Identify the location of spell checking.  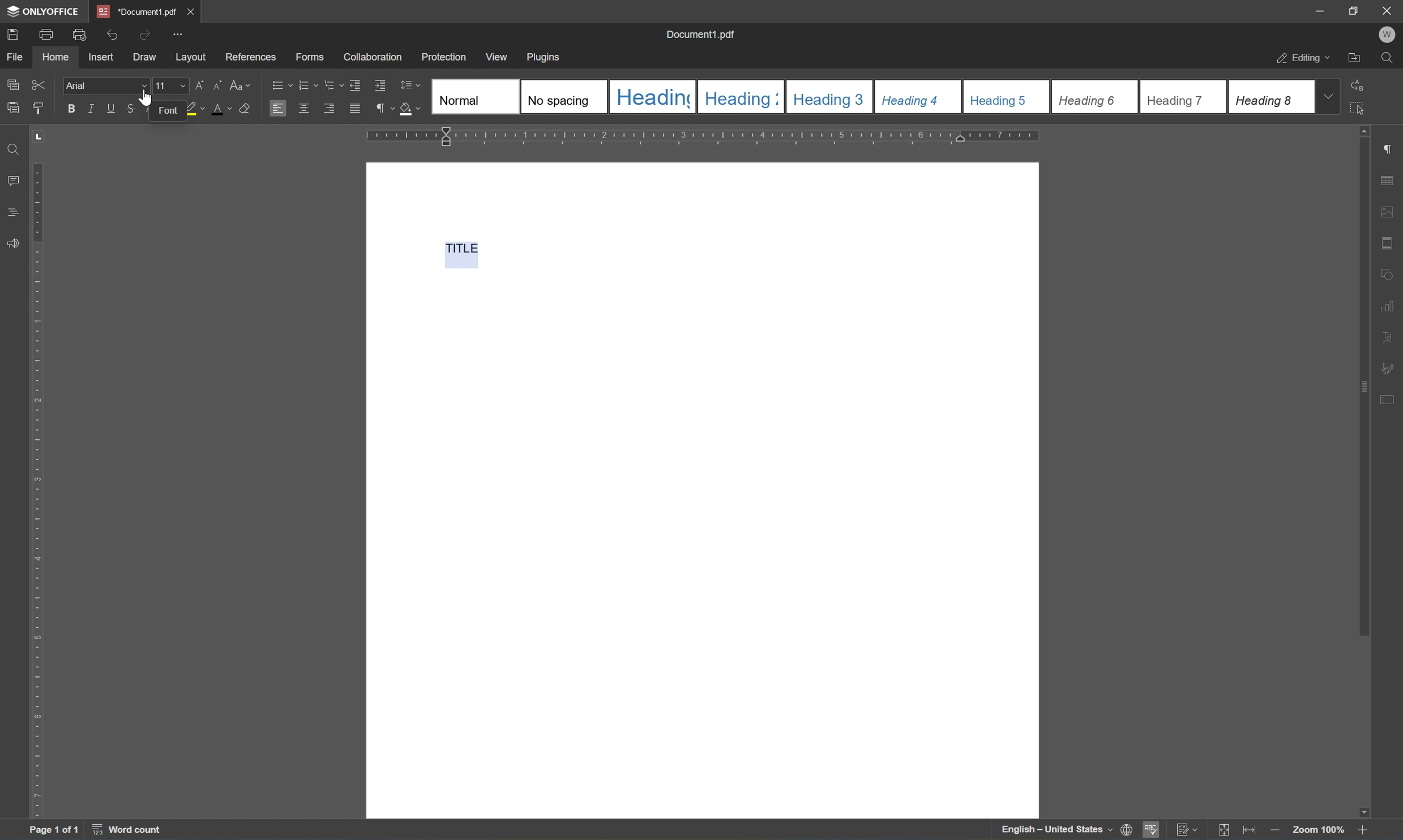
(1152, 830).